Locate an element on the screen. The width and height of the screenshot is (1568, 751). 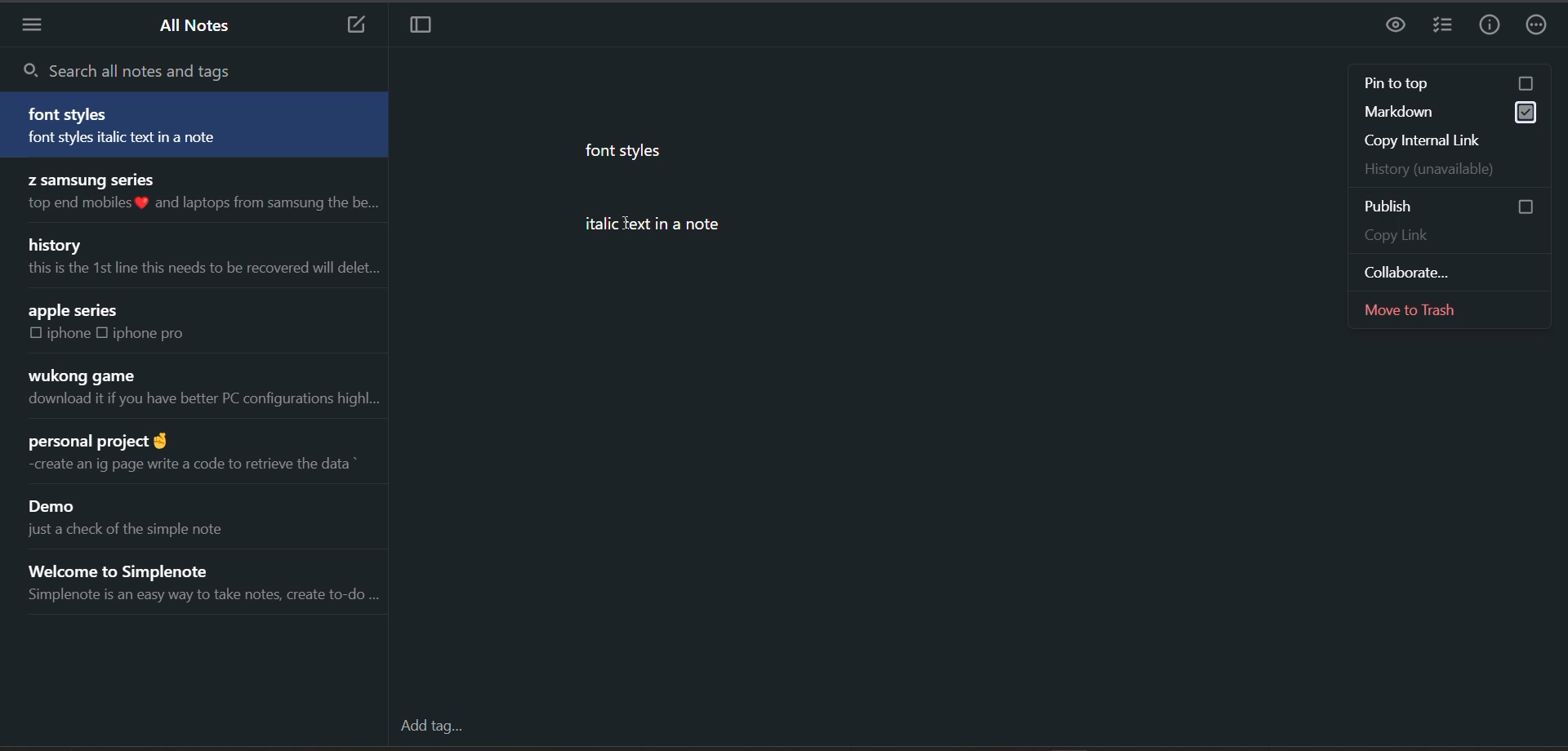
toggle focus mode is located at coordinates (431, 28).